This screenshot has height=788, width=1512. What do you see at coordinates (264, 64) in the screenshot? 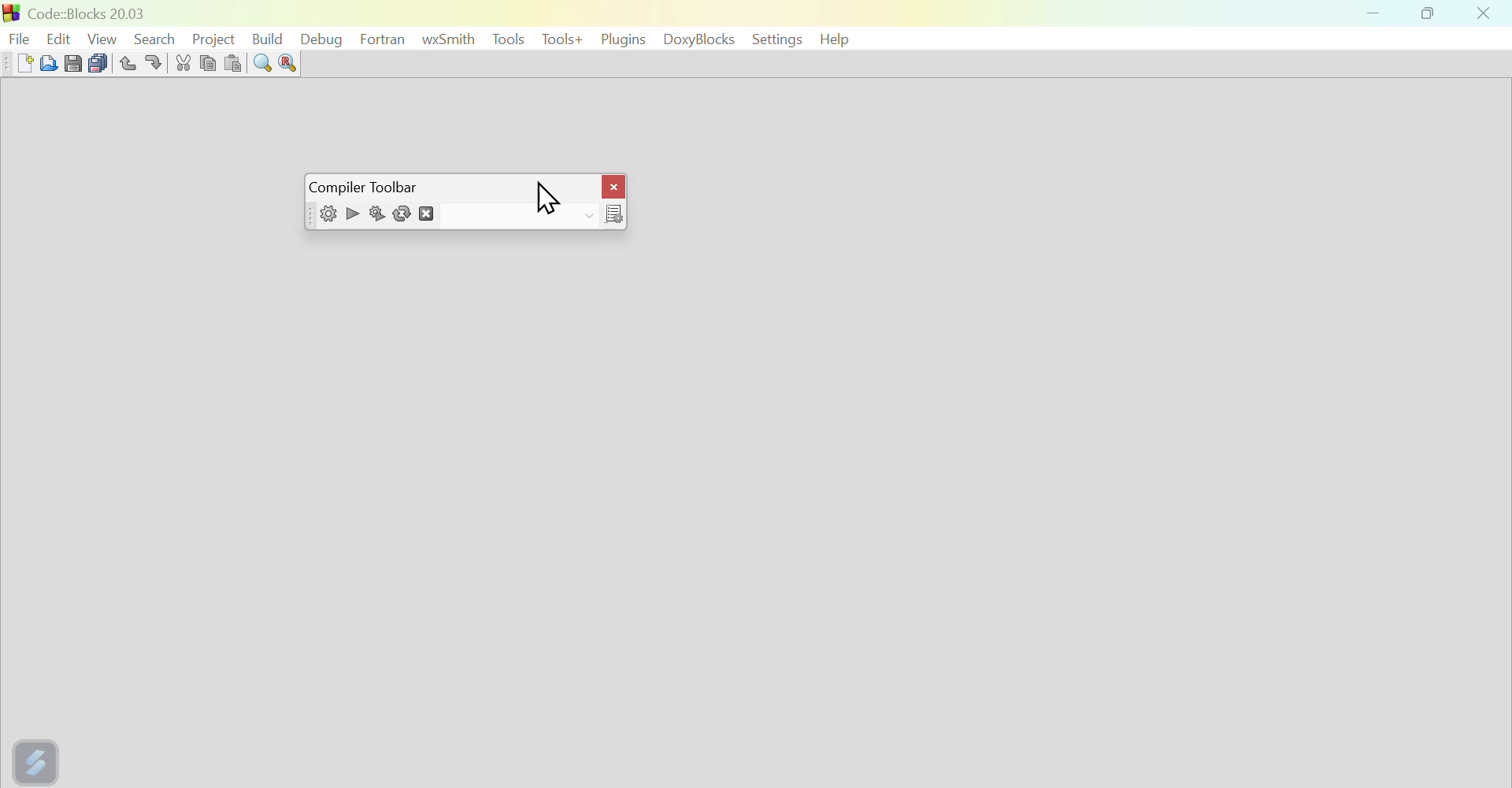
I see `` at bounding box center [264, 64].